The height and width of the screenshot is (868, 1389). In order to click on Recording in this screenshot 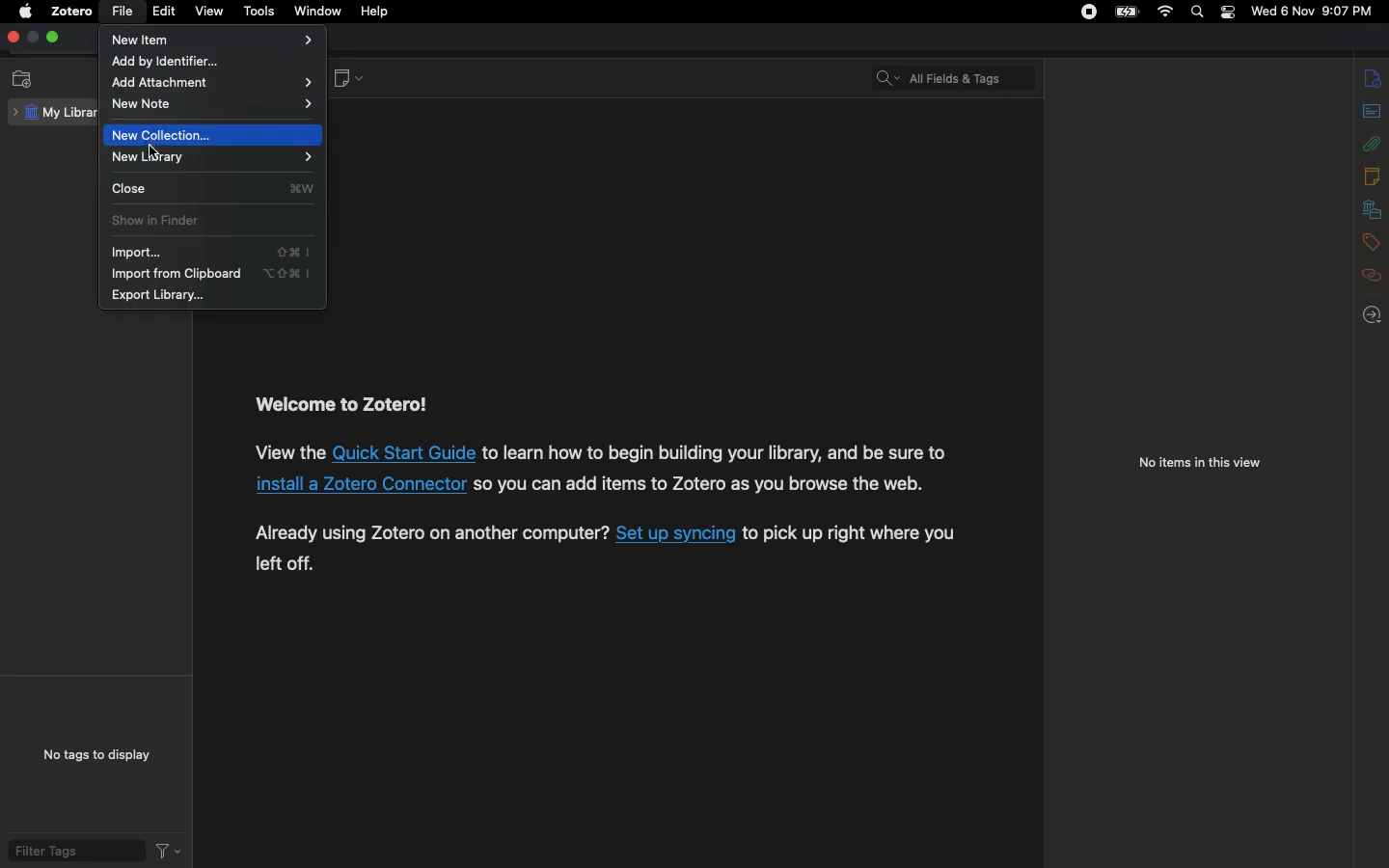, I will do `click(1088, 14)`.